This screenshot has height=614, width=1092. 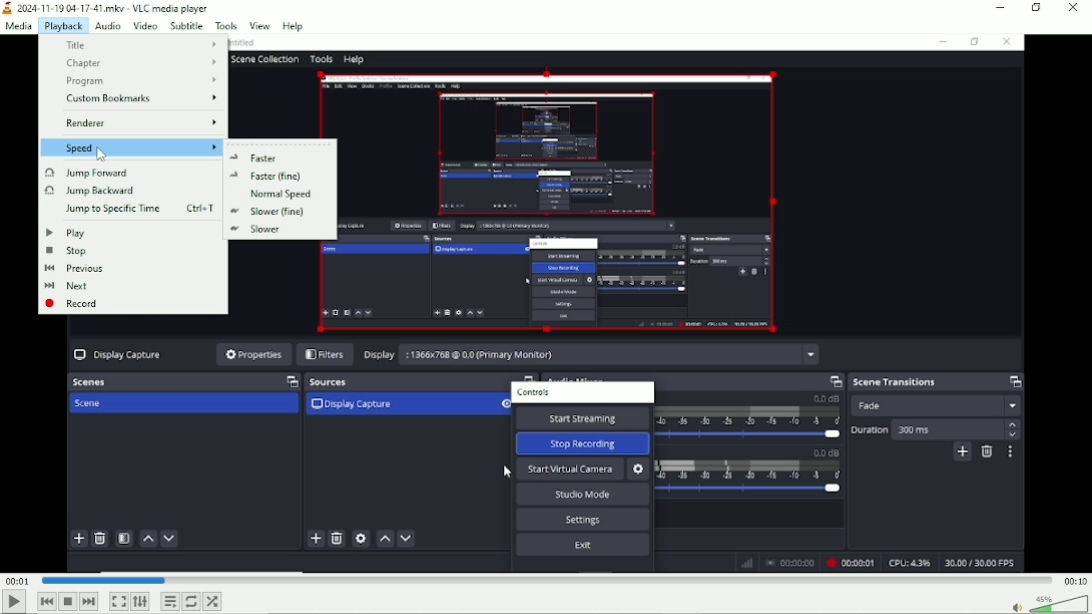 I want to click on view, so click(x=260, y=24).